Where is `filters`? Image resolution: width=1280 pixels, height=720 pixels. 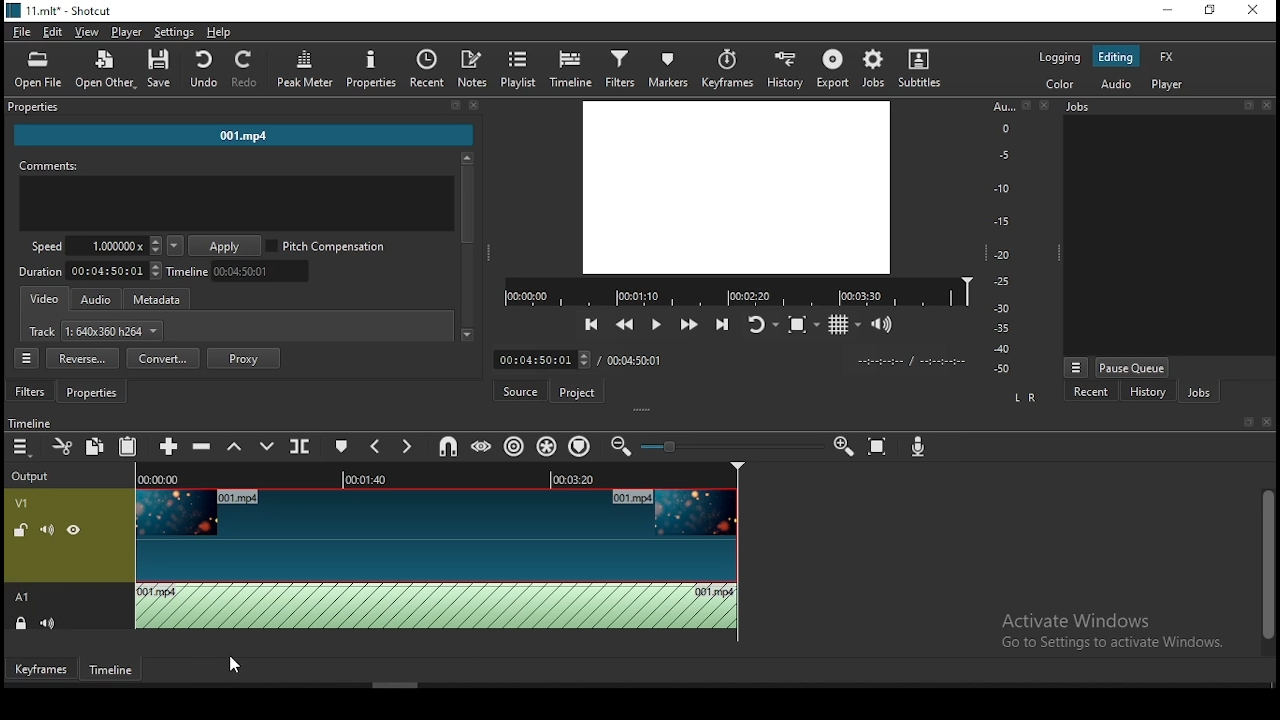 filters is located at coordinates (31, 392).